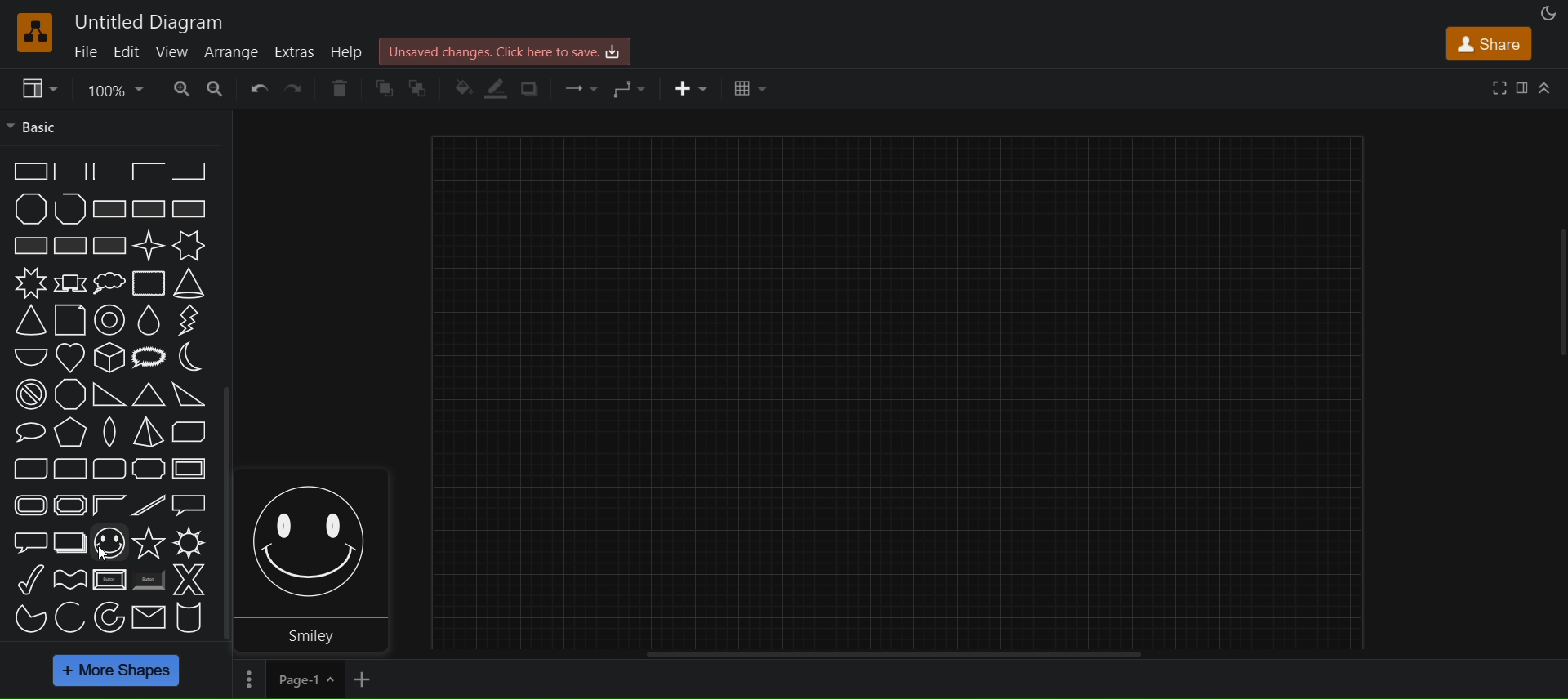 Image resolution: width=1568 pixels, height=699 pixels. What do you see at coordinates (230, 52) in the screenshot?
I see `arrange` at bounding box center [230, 52].